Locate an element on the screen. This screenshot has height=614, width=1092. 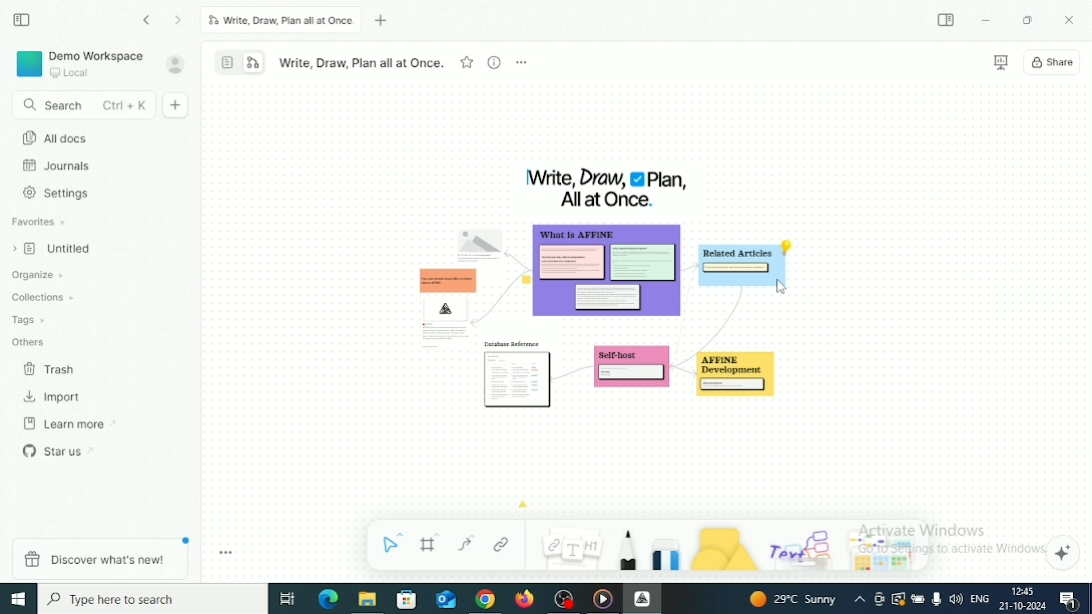
New tab is located at coordinates (384, 21).